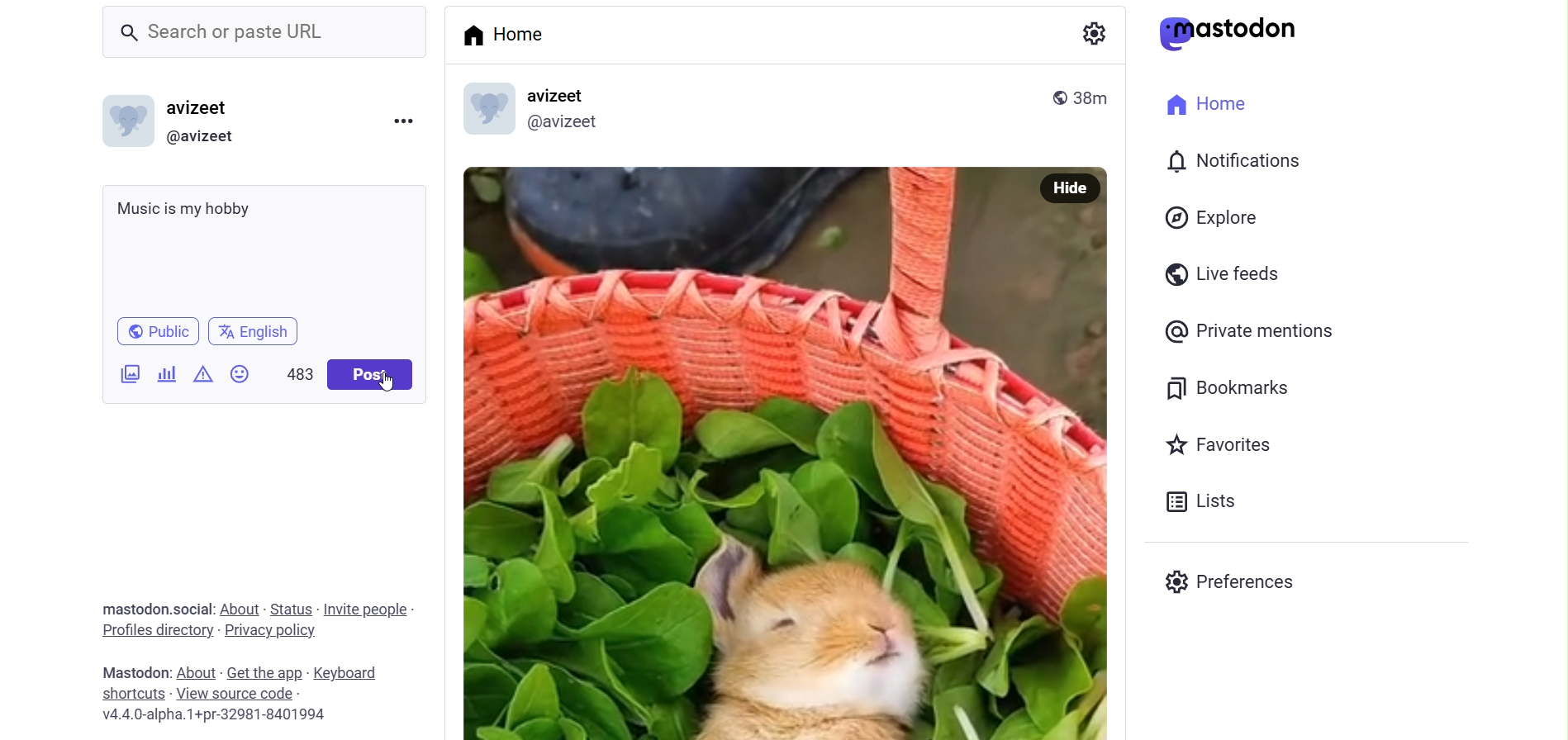 Image resolution: width=1568 pixels, height=740 pixels. I want to click on Get the App, so click(265, 673).